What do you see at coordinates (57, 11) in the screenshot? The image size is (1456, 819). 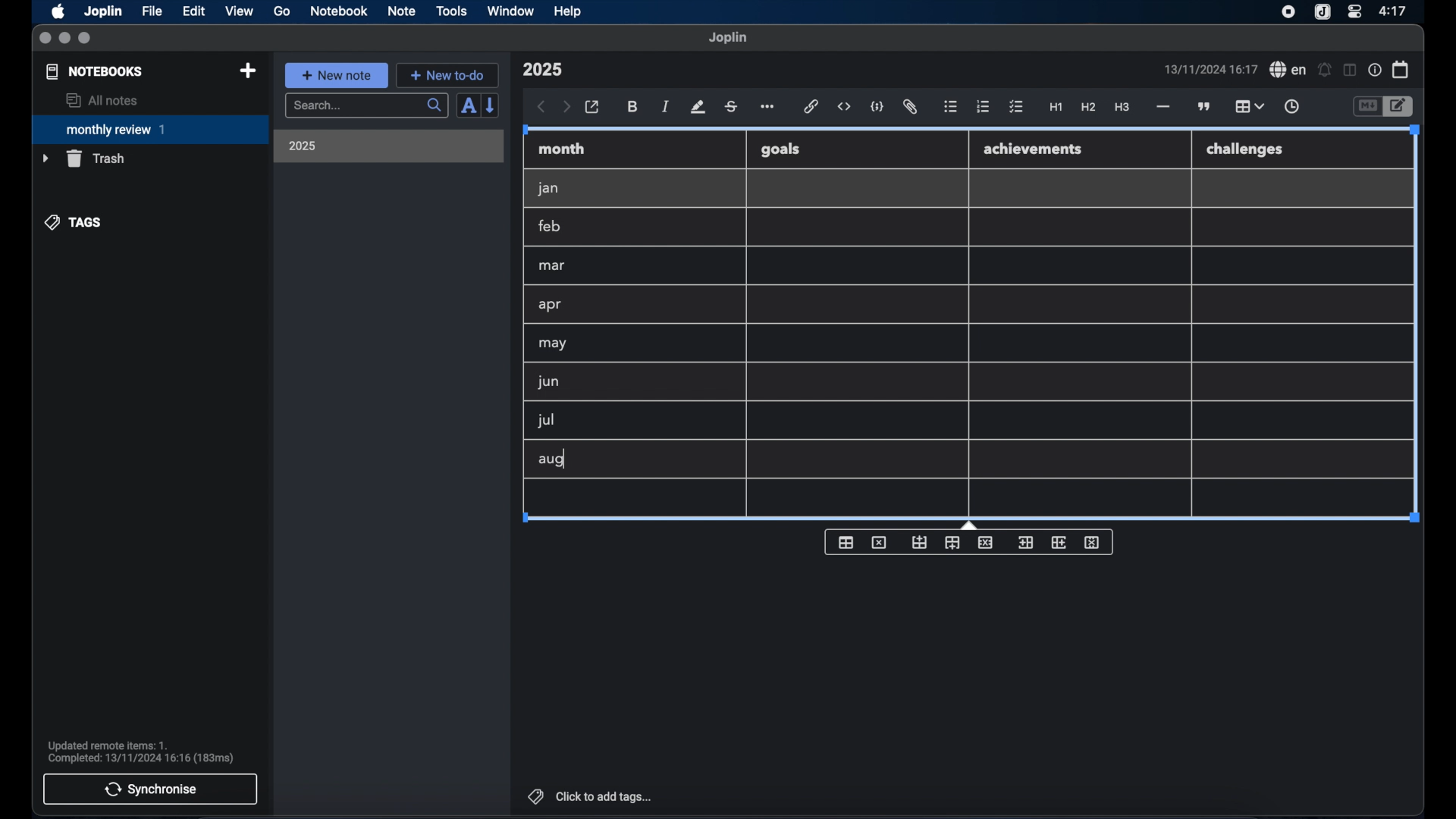 I see `apple icon` at bounding box center [57, 11].